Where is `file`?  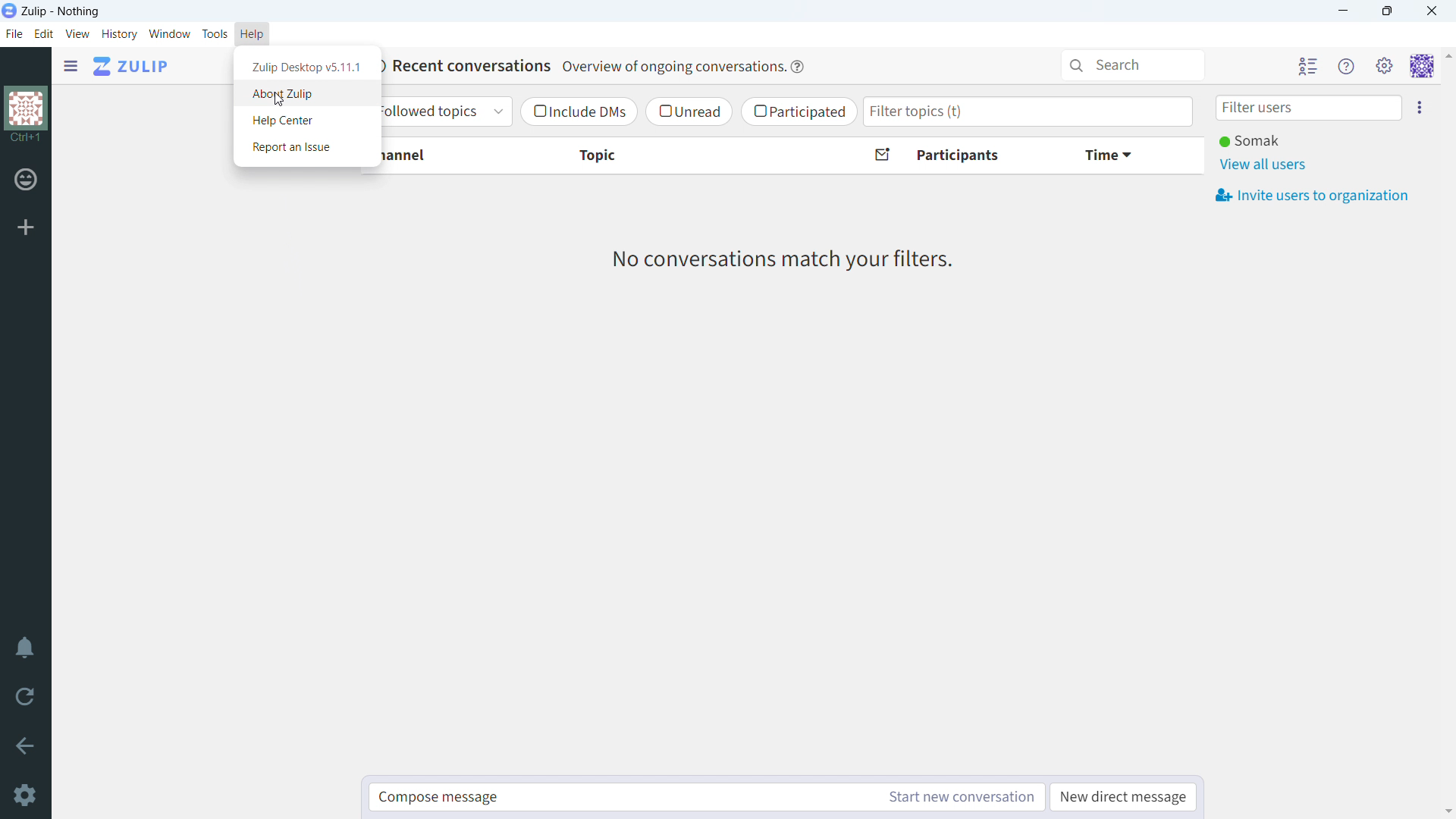
file is located at coordinates (14, 36).